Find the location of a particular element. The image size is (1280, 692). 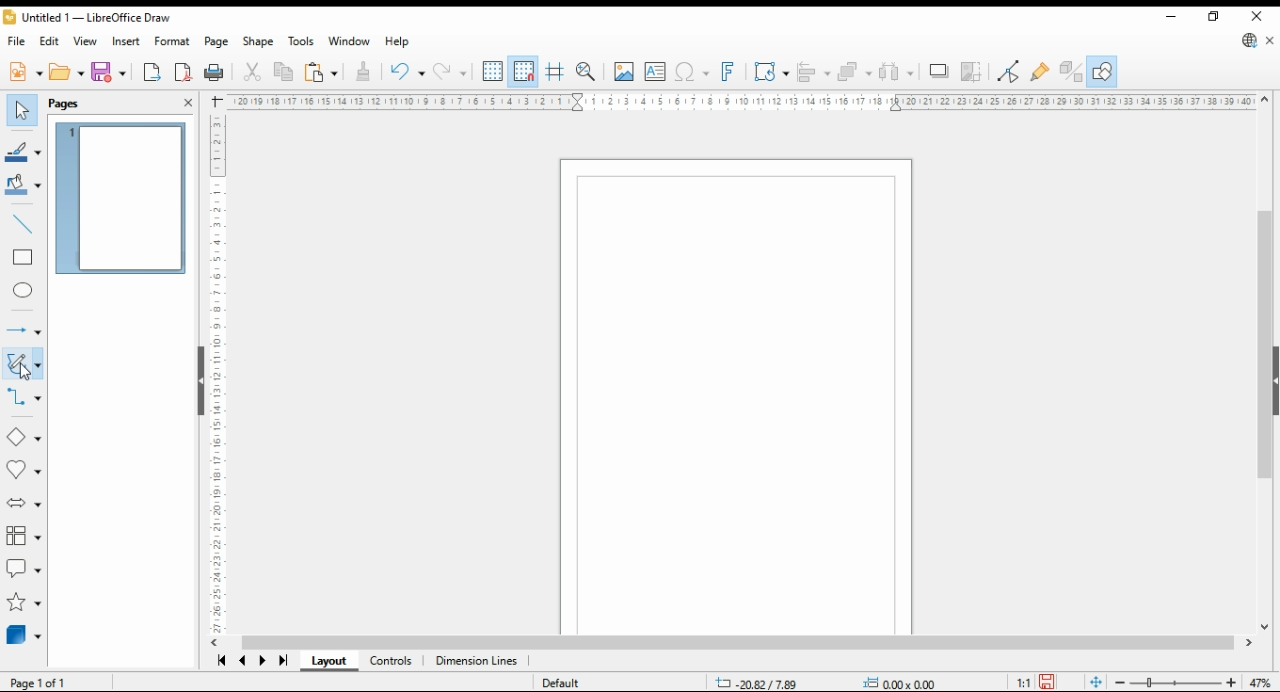

select at least three objects to distribute is located at coordinates (896, 72).